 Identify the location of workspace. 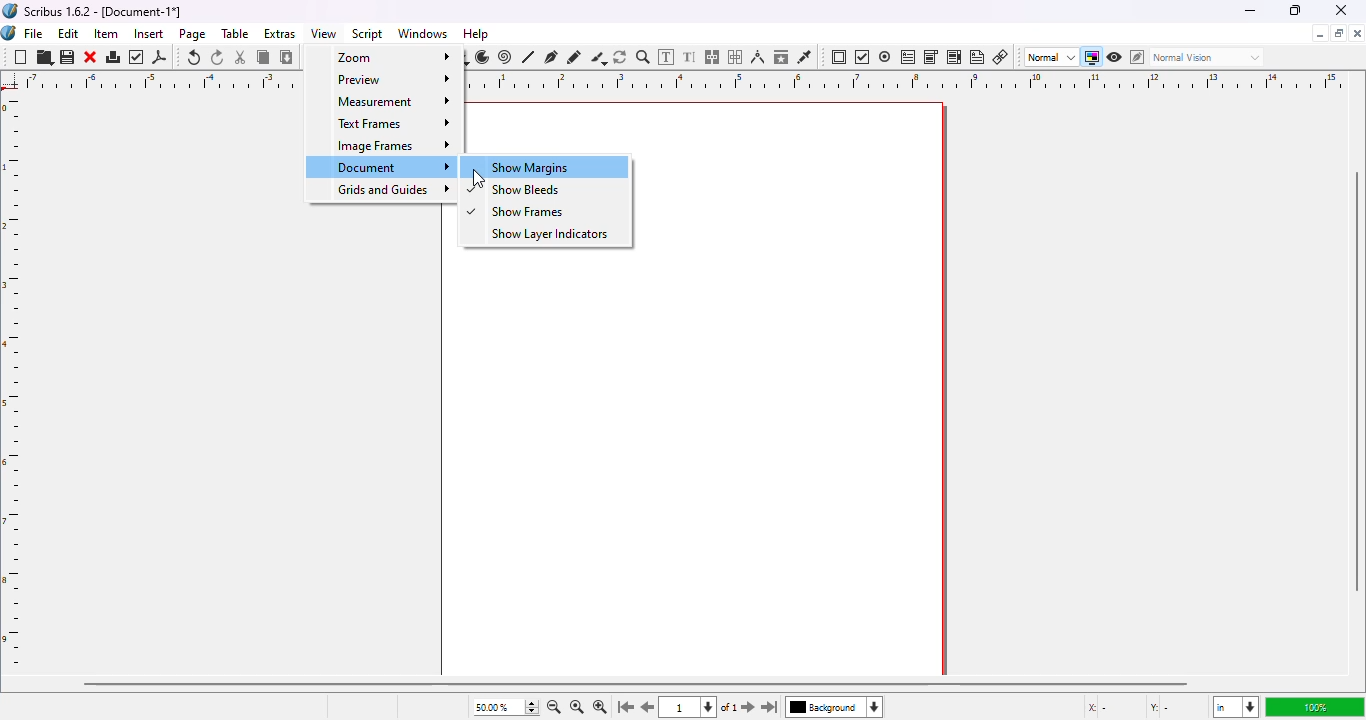
(806, 376).